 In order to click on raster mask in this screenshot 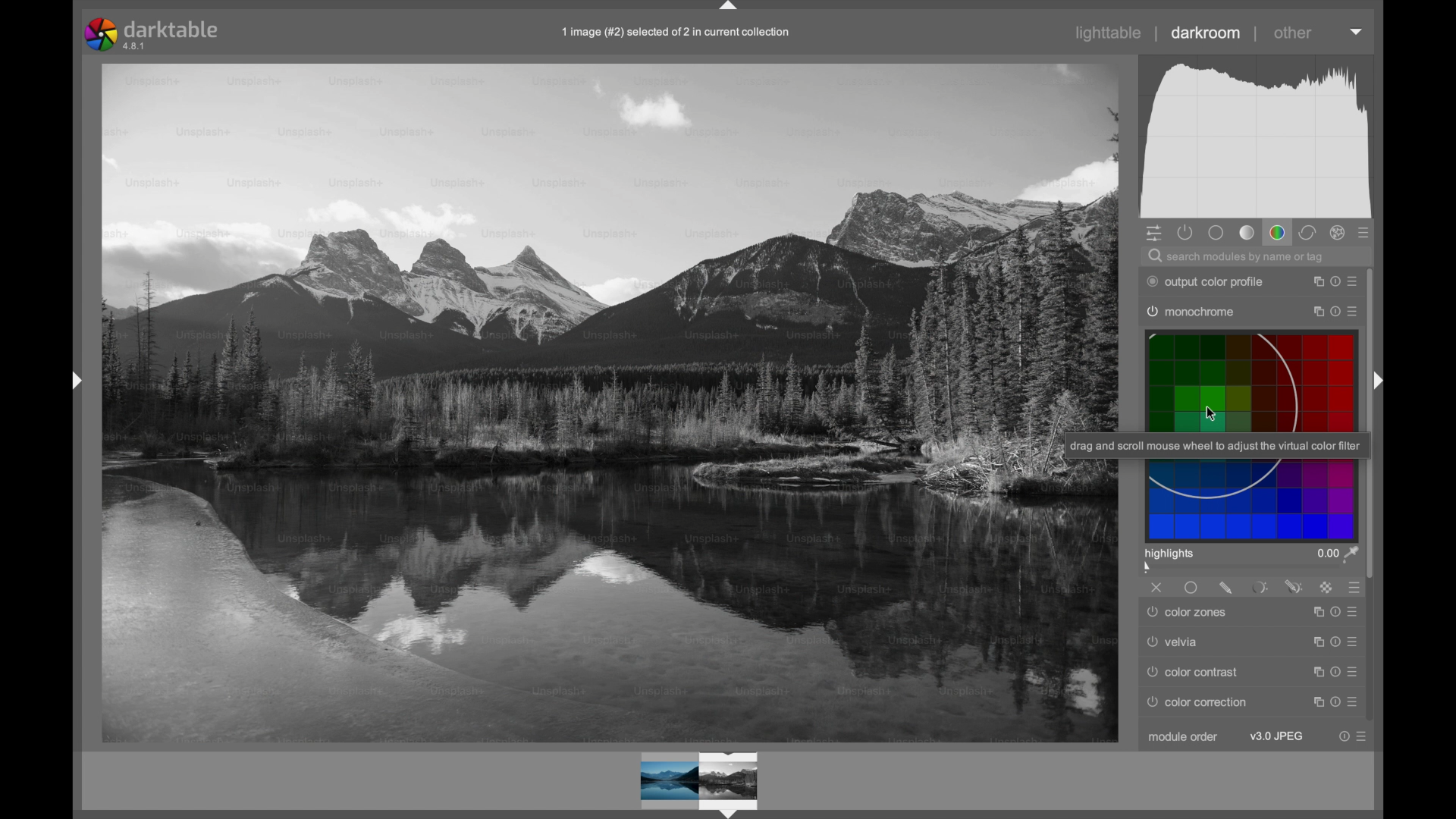, I will do `click(1326, 587)`.